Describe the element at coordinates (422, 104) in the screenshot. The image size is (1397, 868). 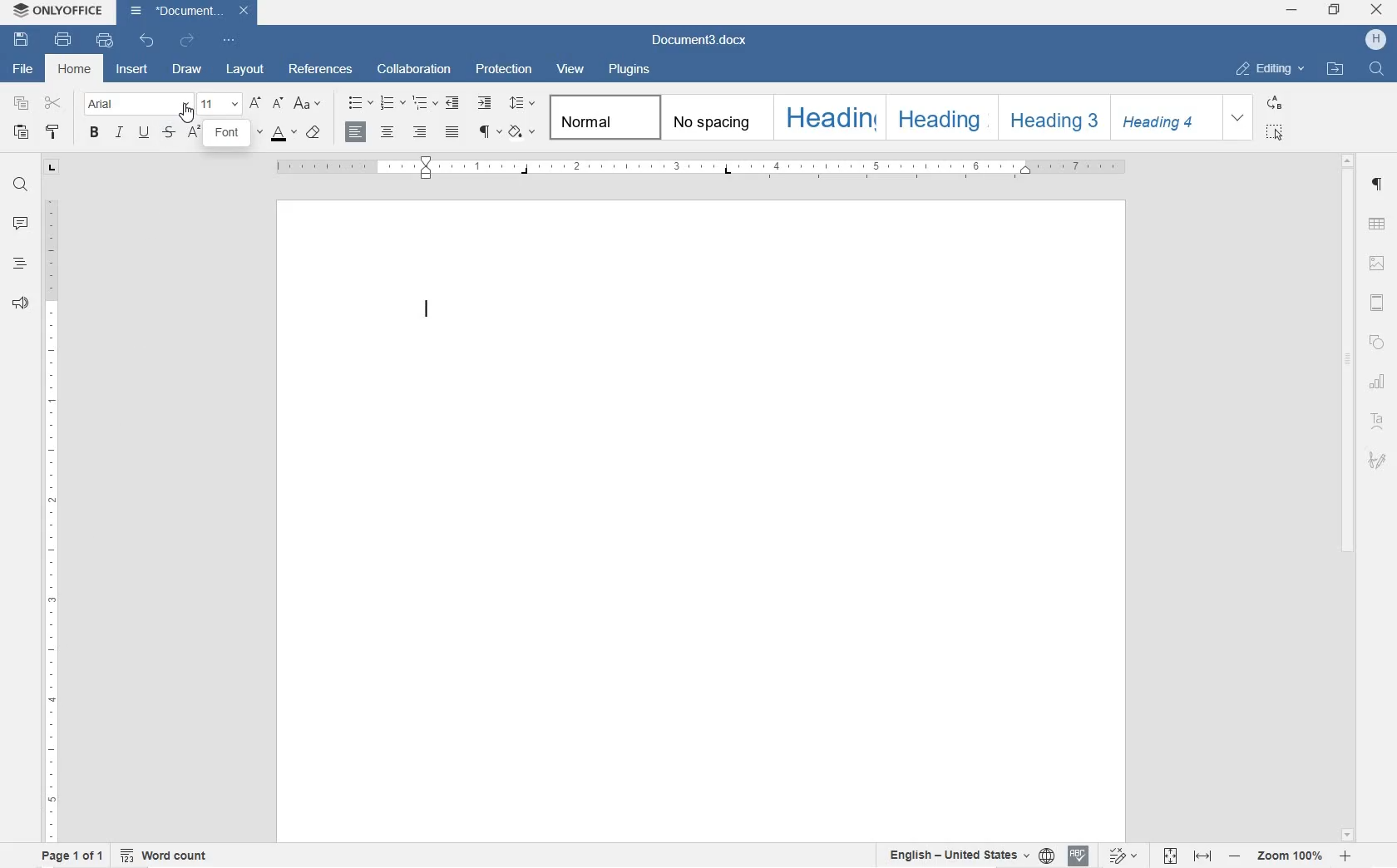
I see `MULTILEVEL LISTS` at that location.